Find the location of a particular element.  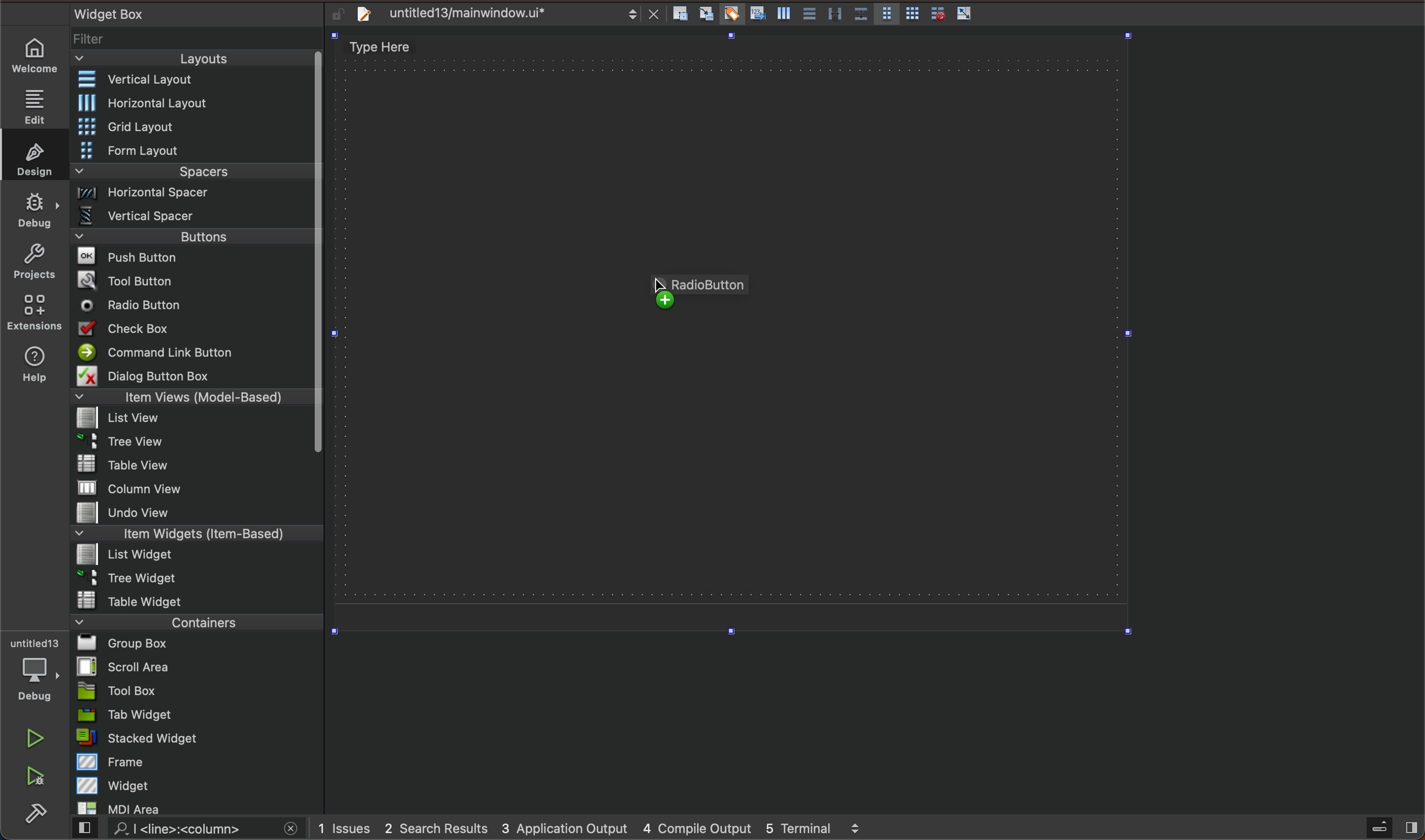

 is located at coordinates (194, 240).